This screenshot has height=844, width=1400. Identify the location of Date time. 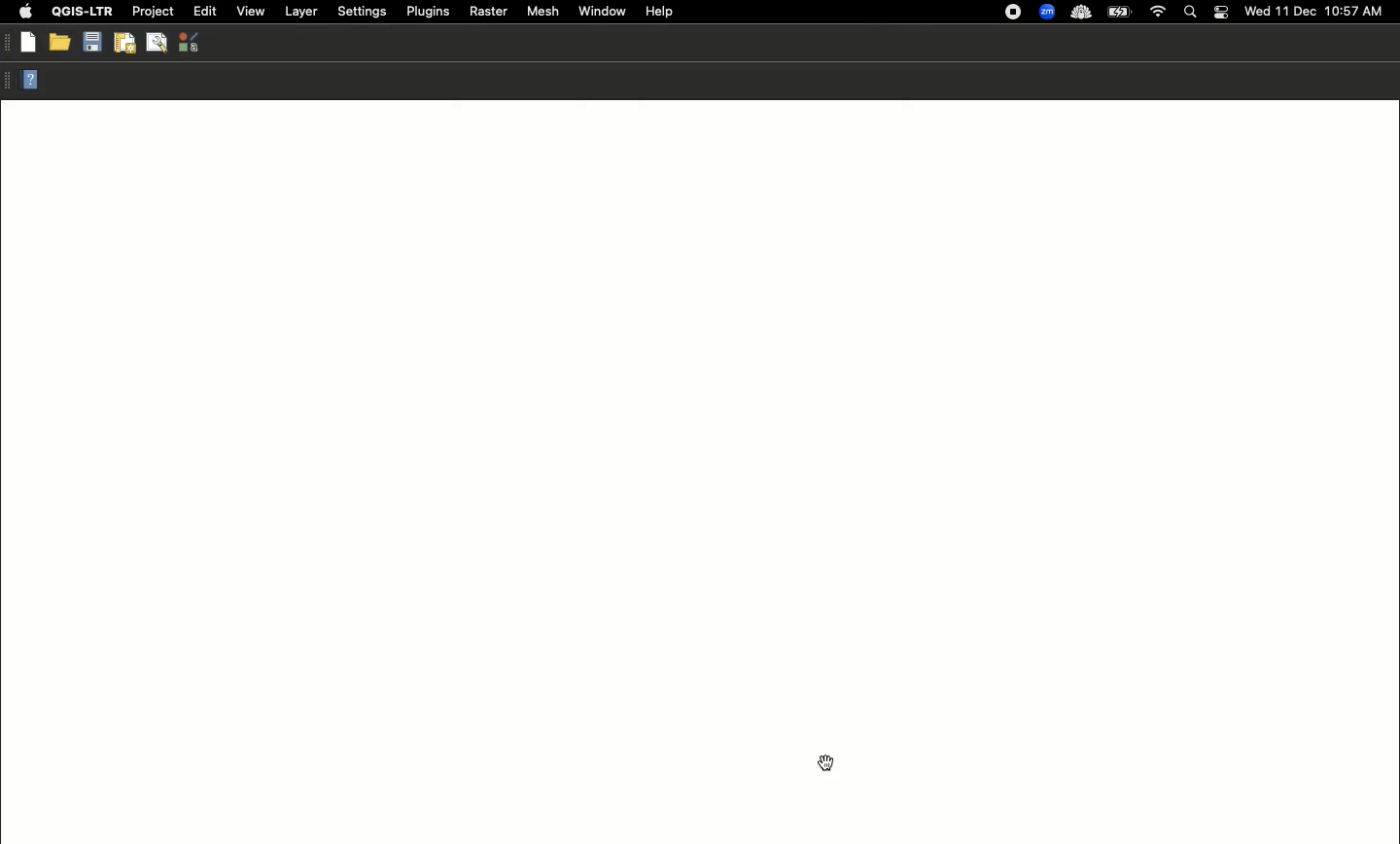
(1315, 11).